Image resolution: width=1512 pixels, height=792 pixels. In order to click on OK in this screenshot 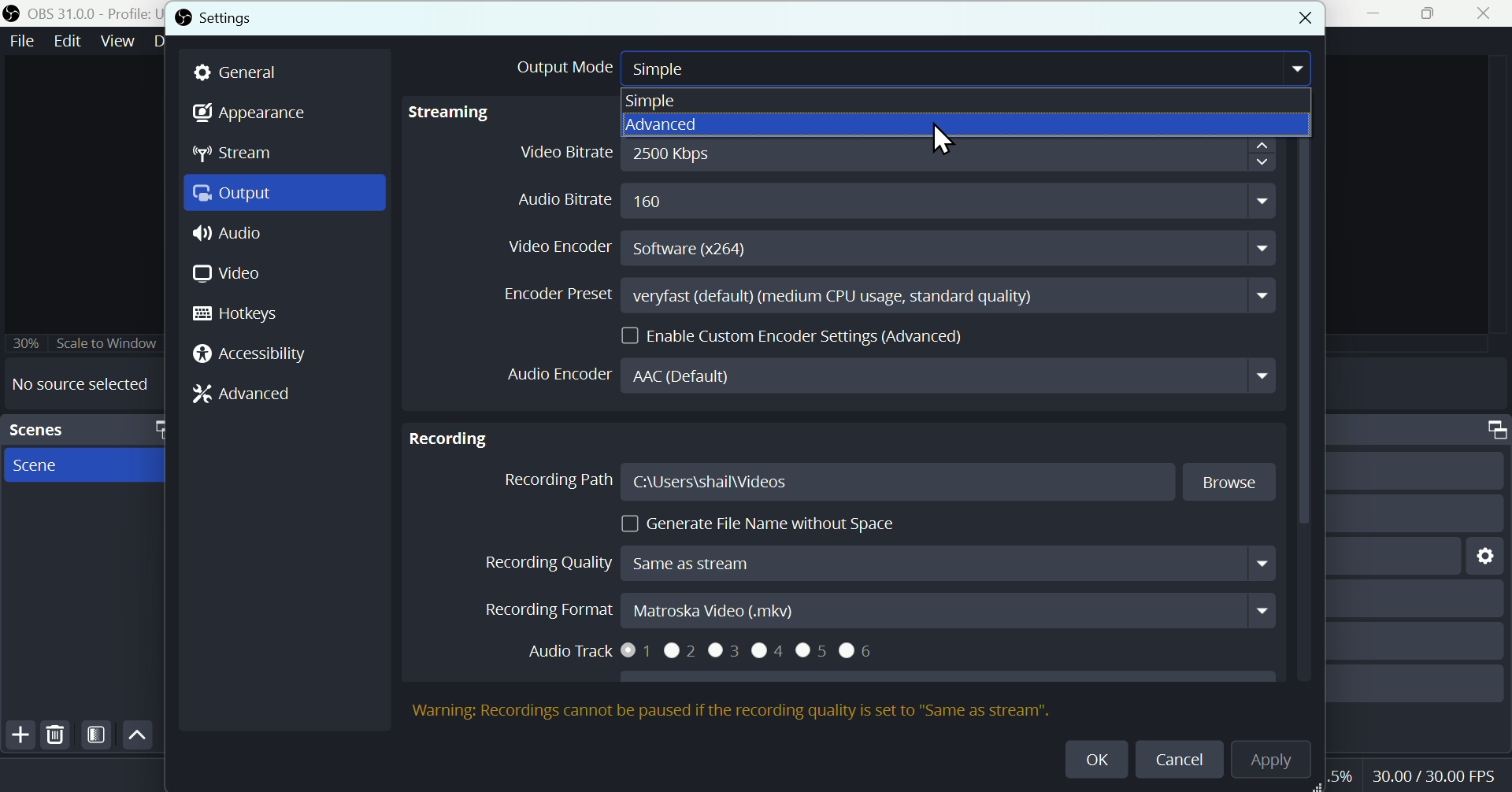, I will do `click(1091, 757)`.